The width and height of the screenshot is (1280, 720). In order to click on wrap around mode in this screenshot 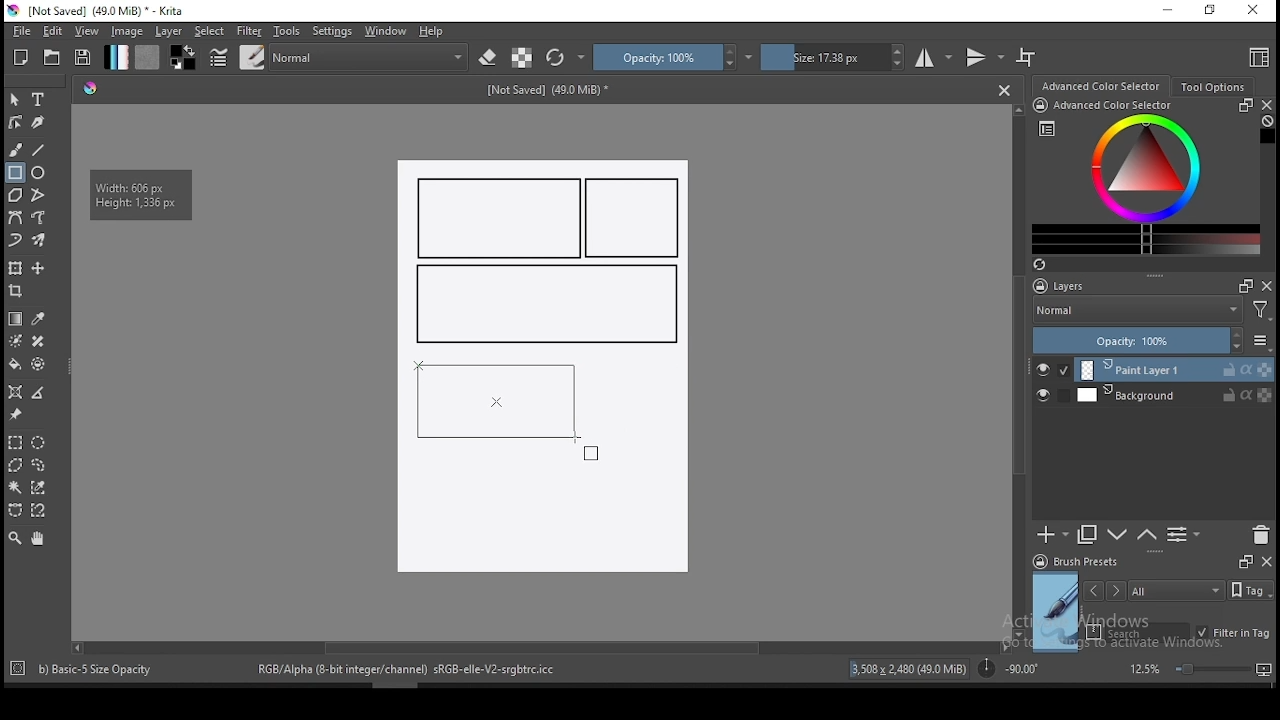, I will do `click(1027, 57)`.